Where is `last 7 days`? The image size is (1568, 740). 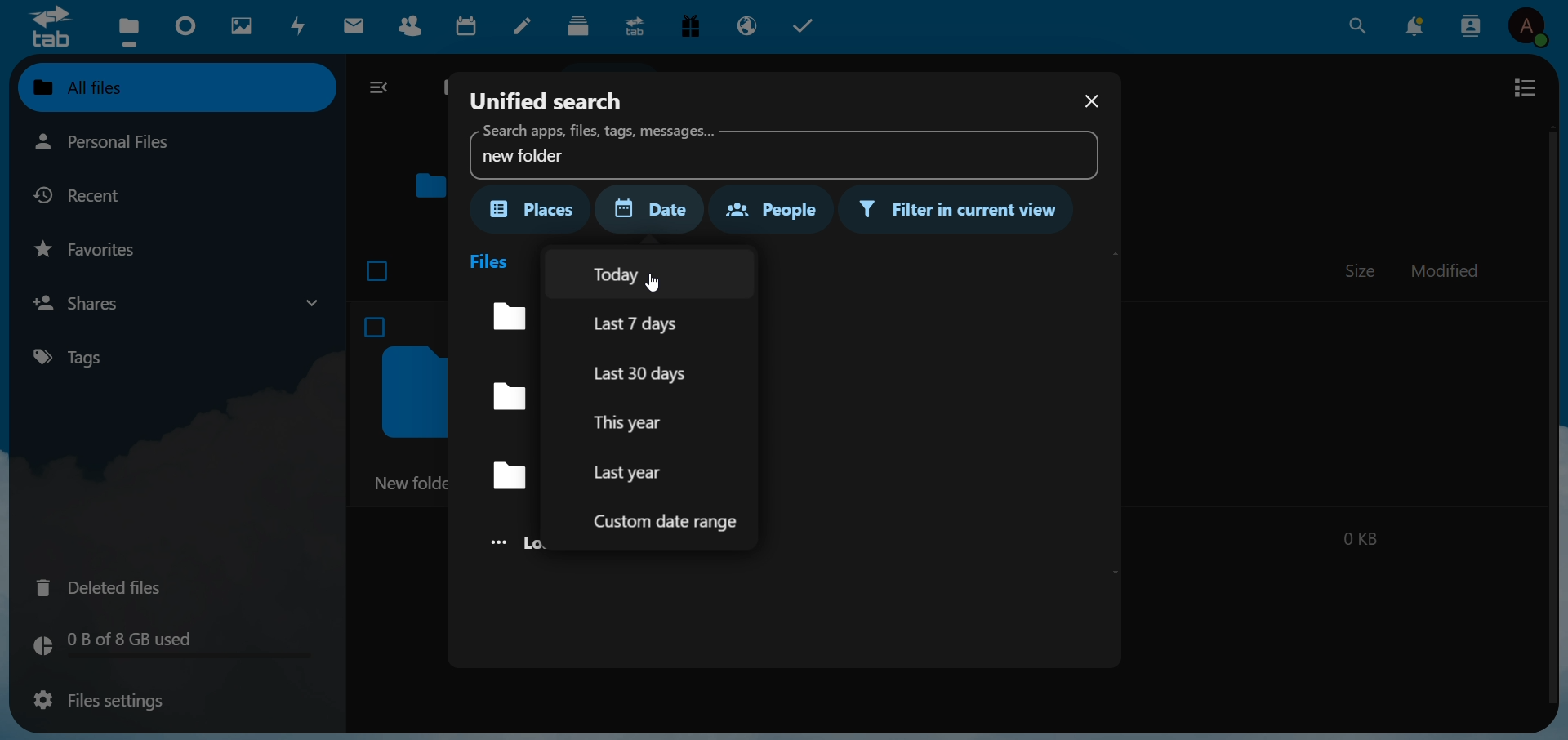 last 7 days is located at coordinates (652, 323).